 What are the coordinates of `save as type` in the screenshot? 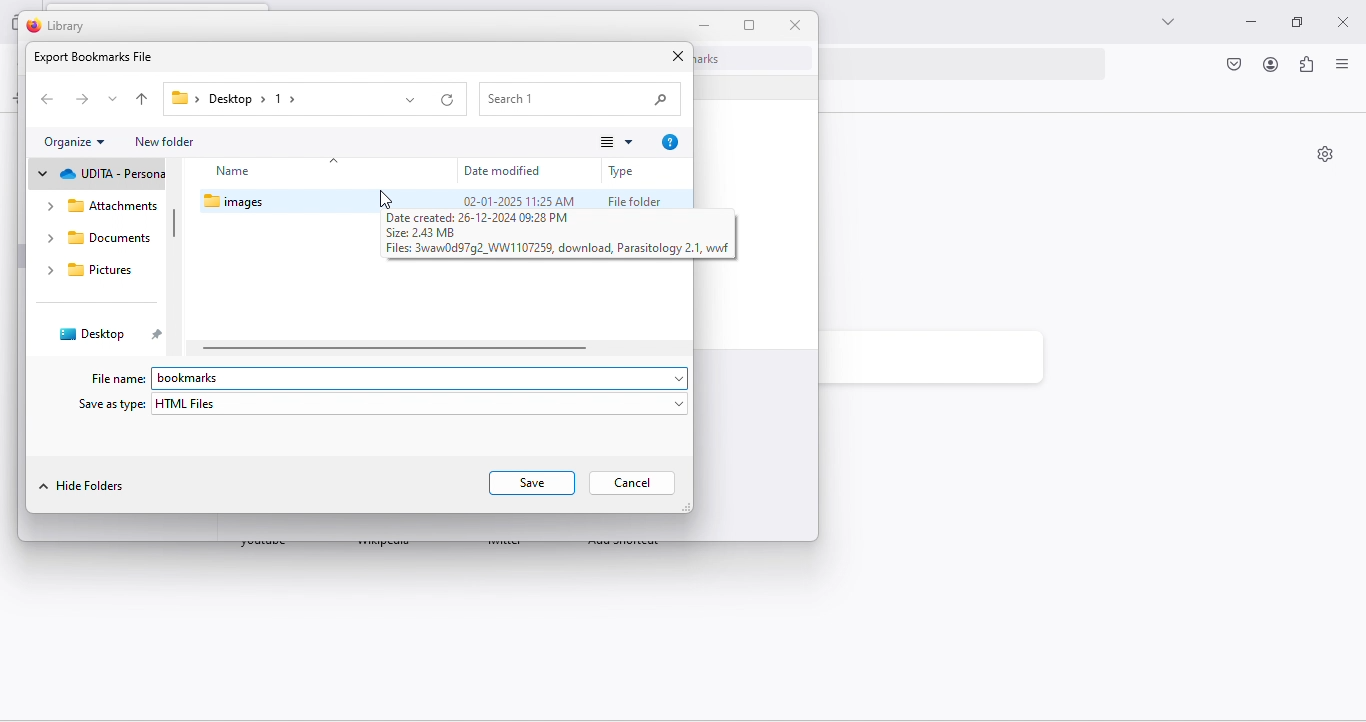 It's located at (108, 405).